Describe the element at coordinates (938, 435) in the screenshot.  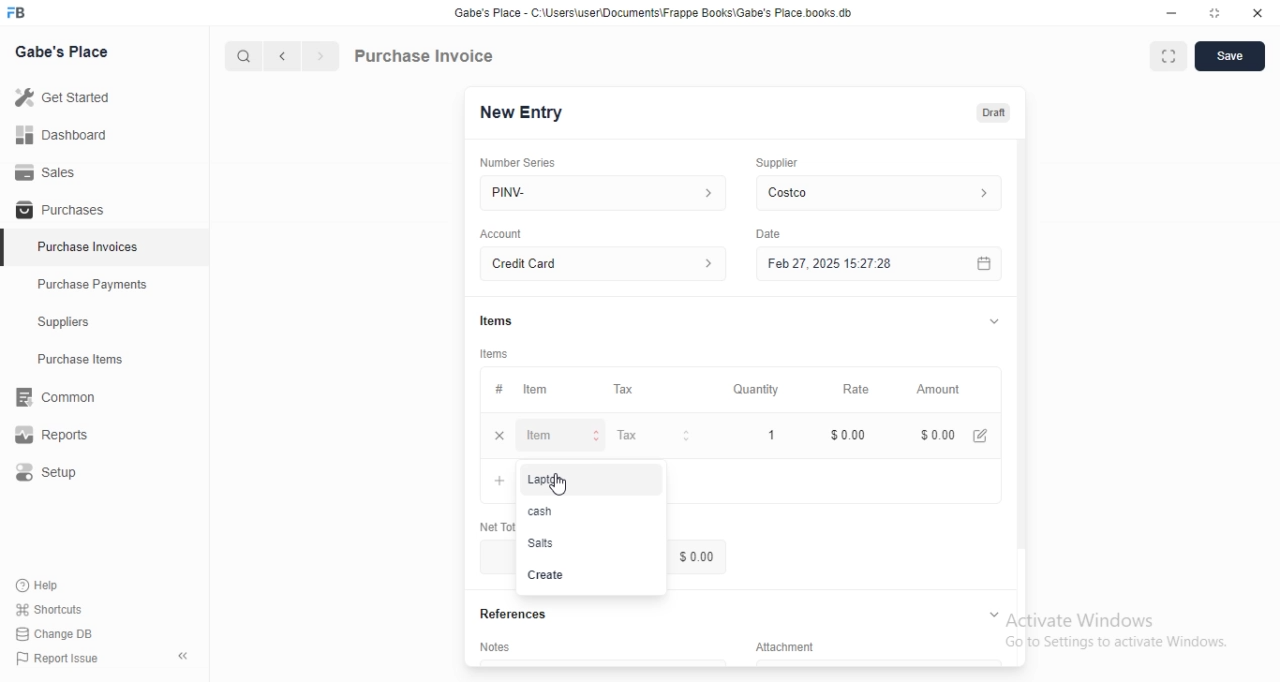
I see `$0.00` at that location.